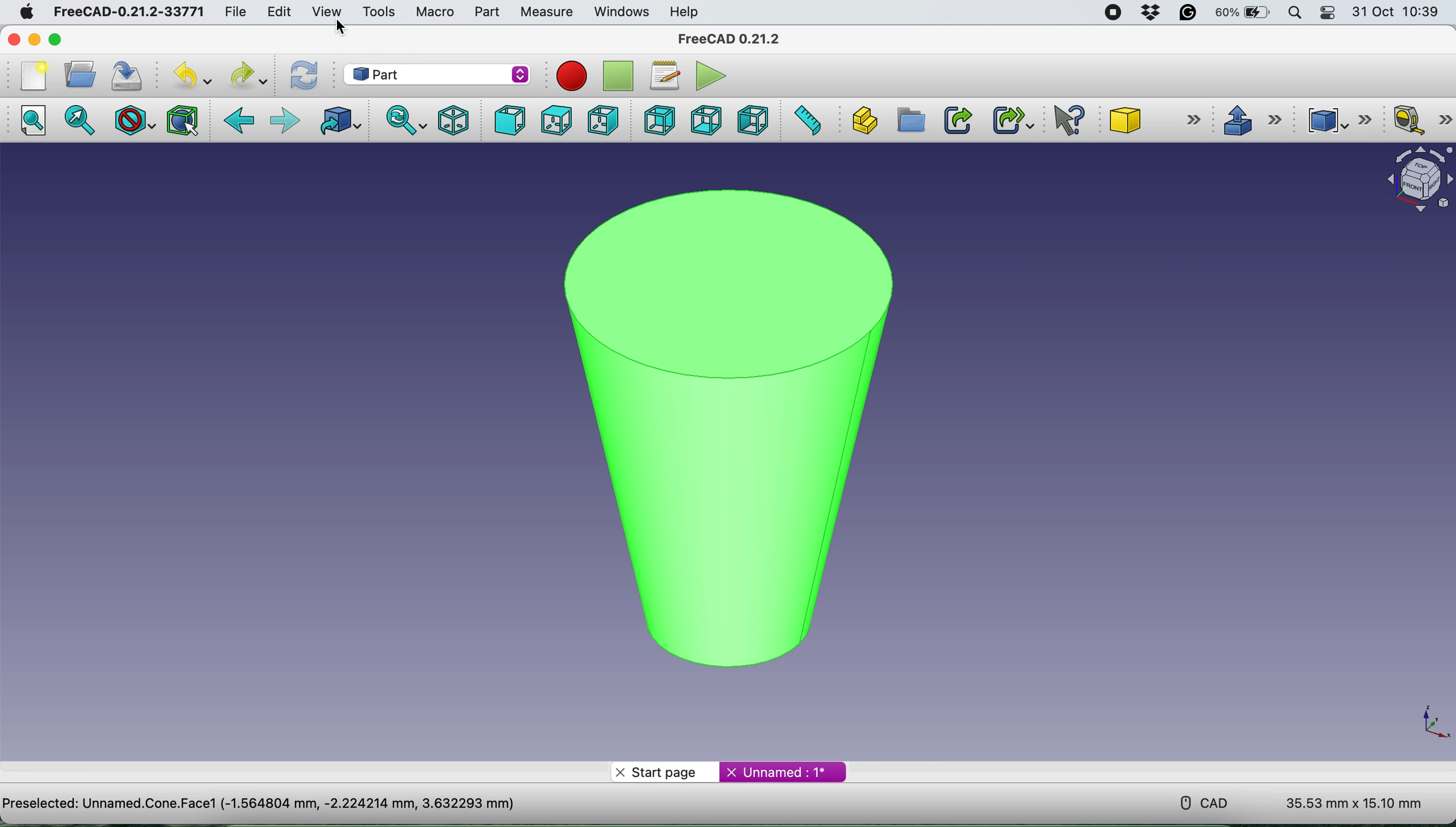 This screenshot has width=1456, height=827. I want to click on part, so click(484, 12).